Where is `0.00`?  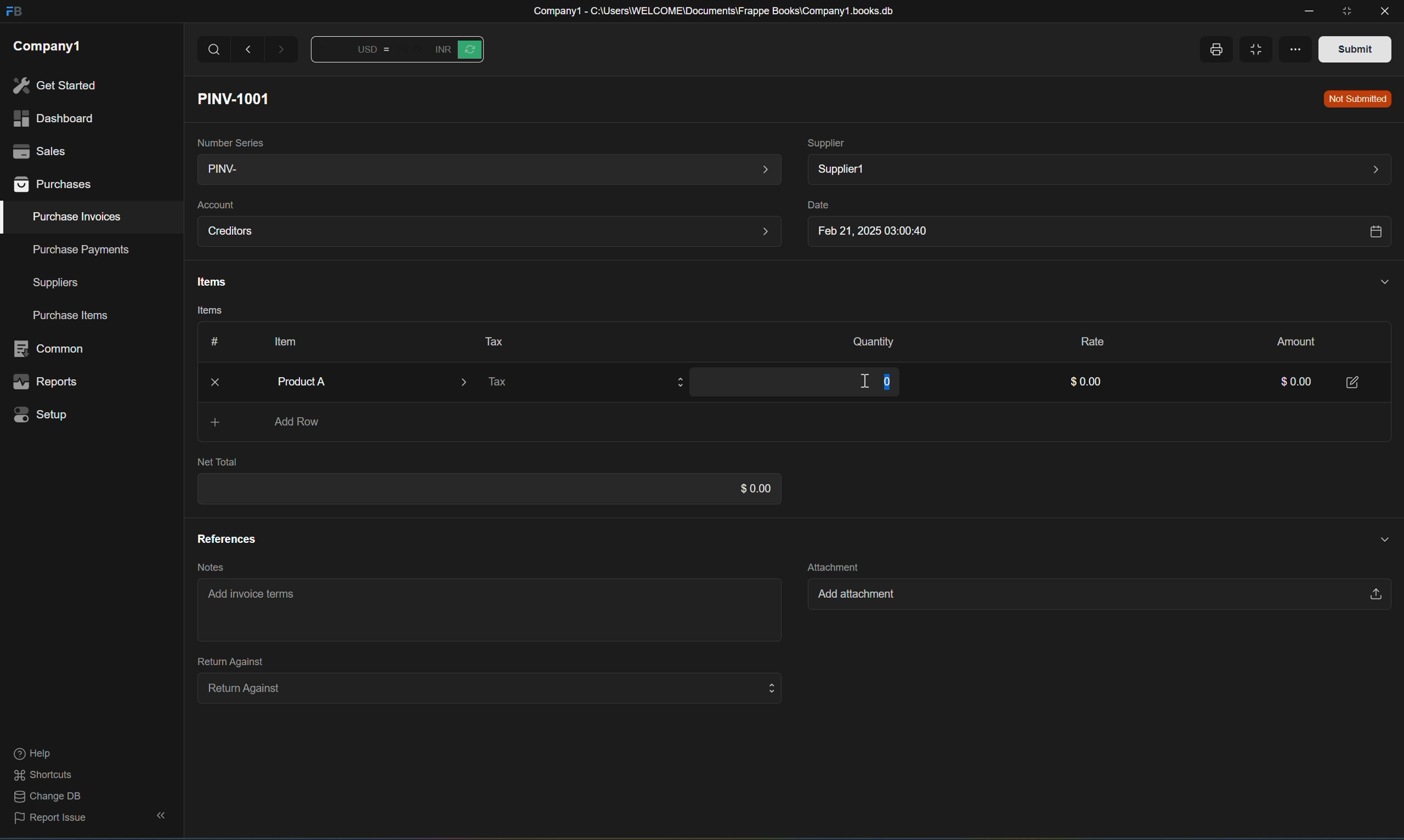 0.00 is located at coordinates (1287, 383).